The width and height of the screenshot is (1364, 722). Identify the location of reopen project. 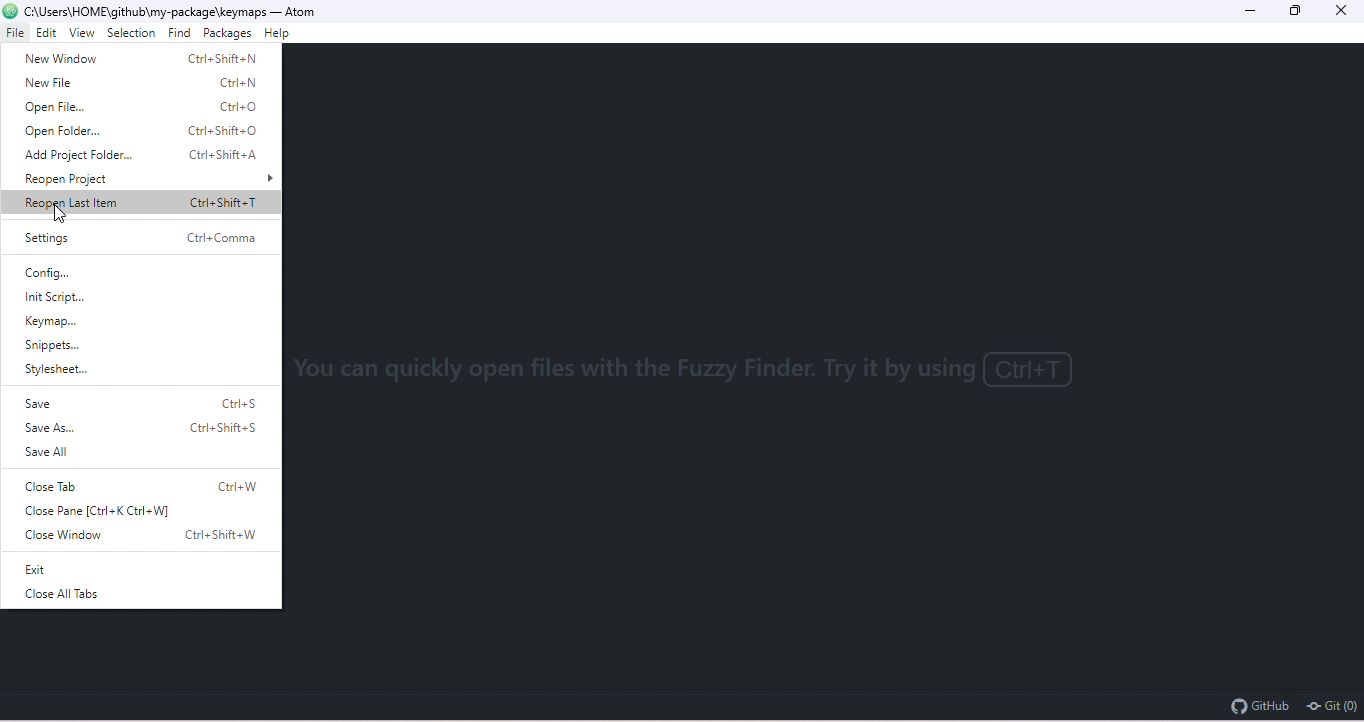
(140, 179).